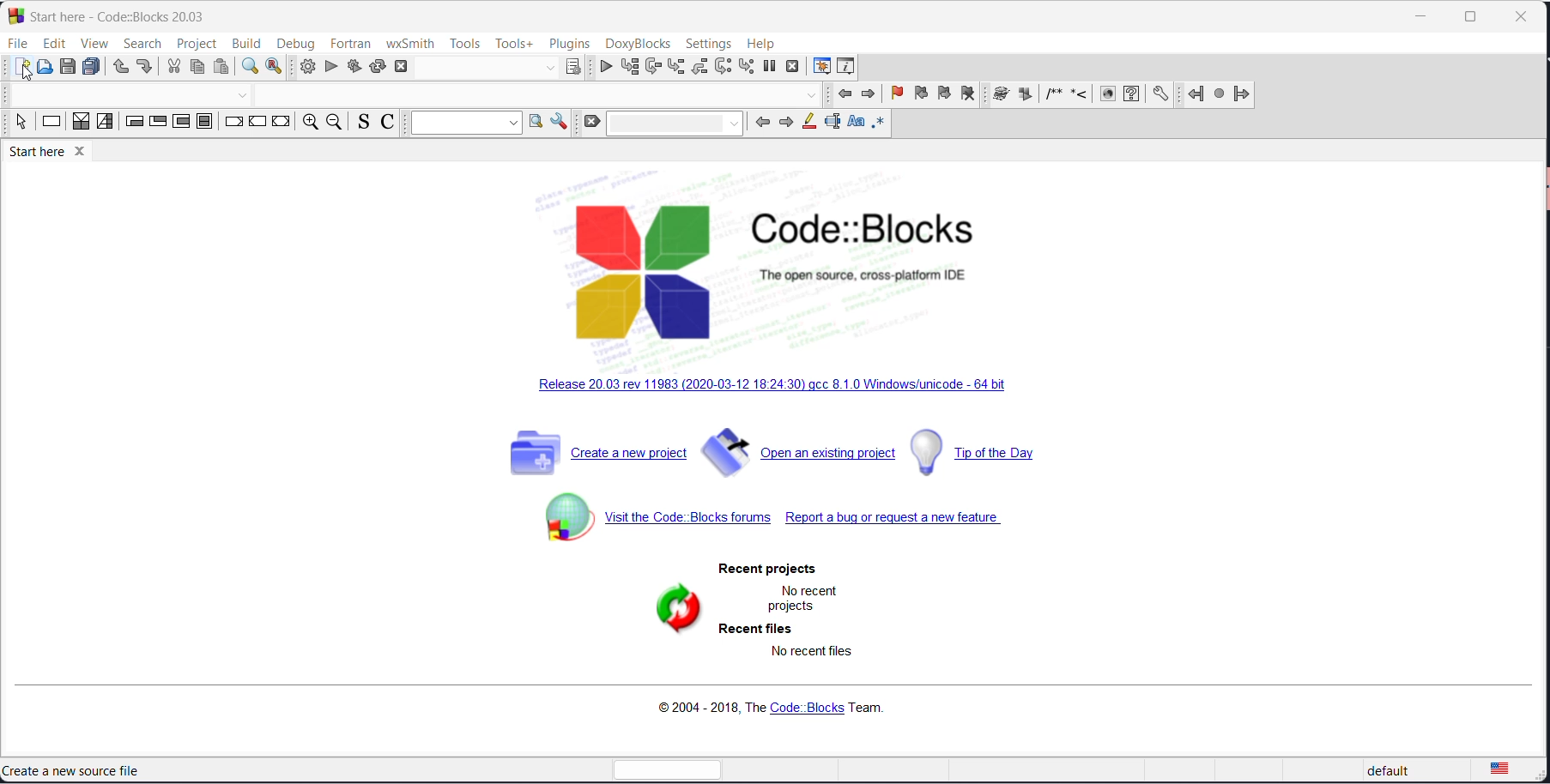 The width and height of the screenshot is (1550, 784). Describe the element at coordinates (535, 124) in the screenshot. I see `run search` at that location.